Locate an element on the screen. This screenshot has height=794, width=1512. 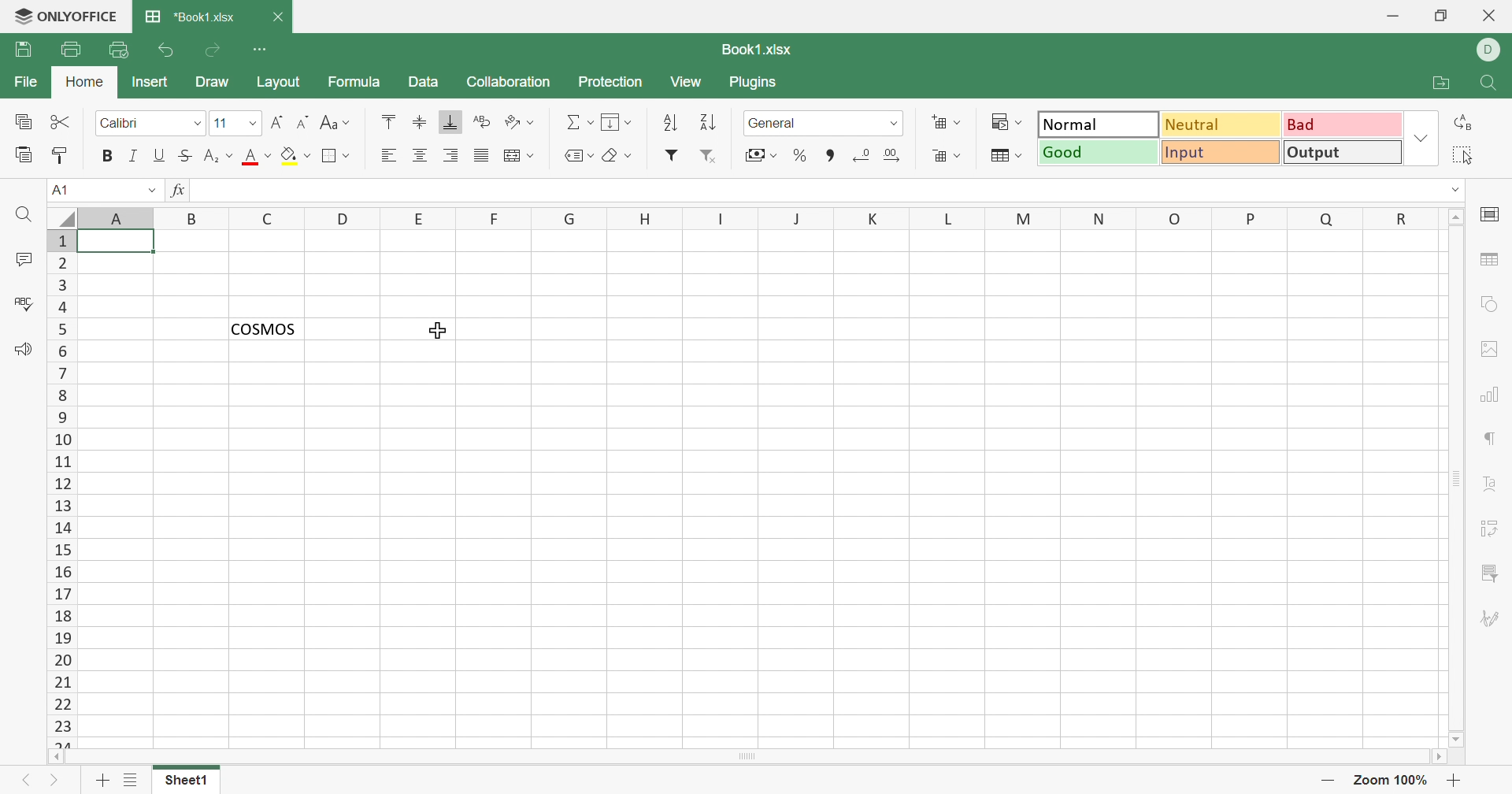
Copy style is located at coordinates (61, 158).